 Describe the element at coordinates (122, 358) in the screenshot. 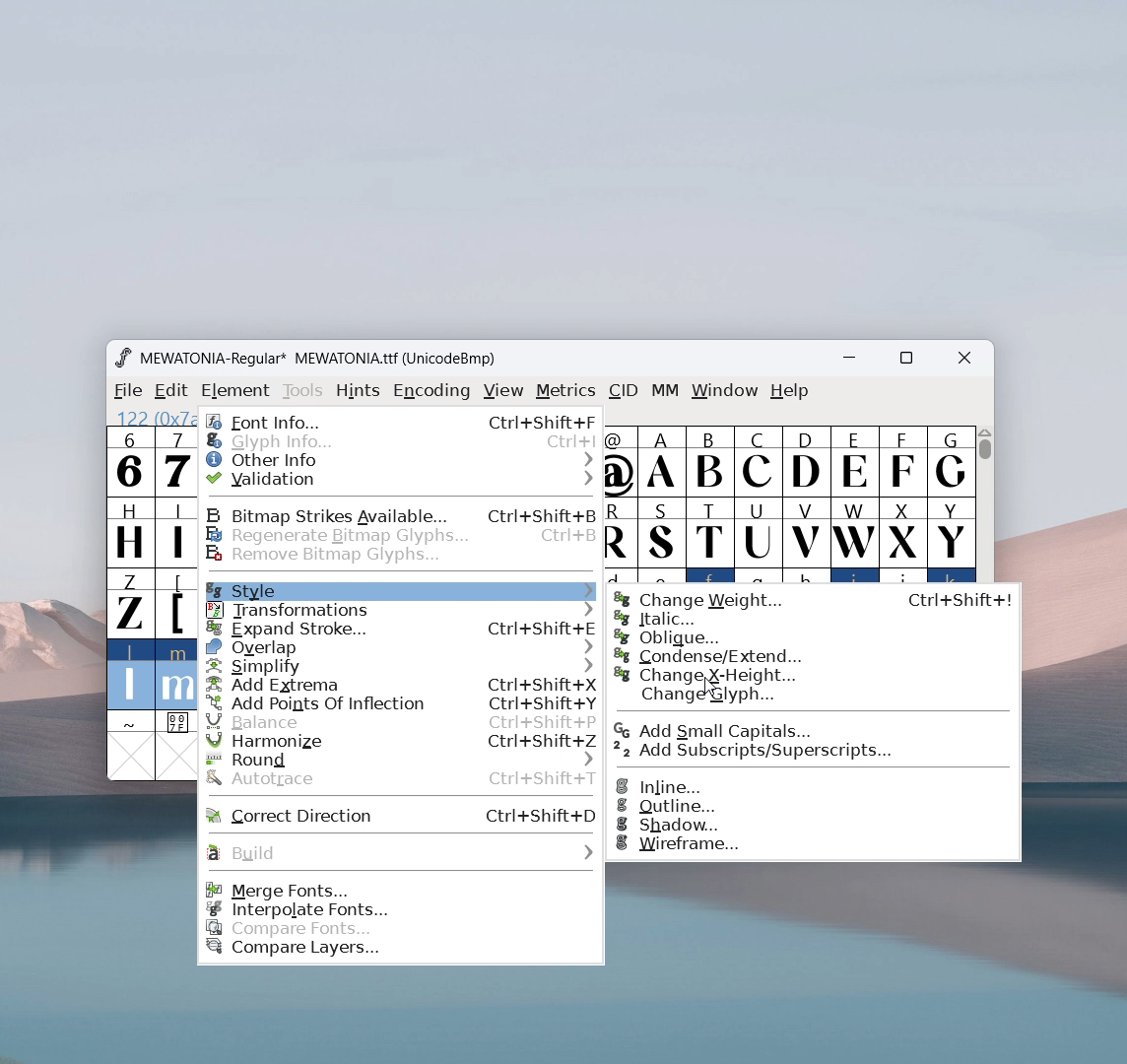

I see `logo` at that location.